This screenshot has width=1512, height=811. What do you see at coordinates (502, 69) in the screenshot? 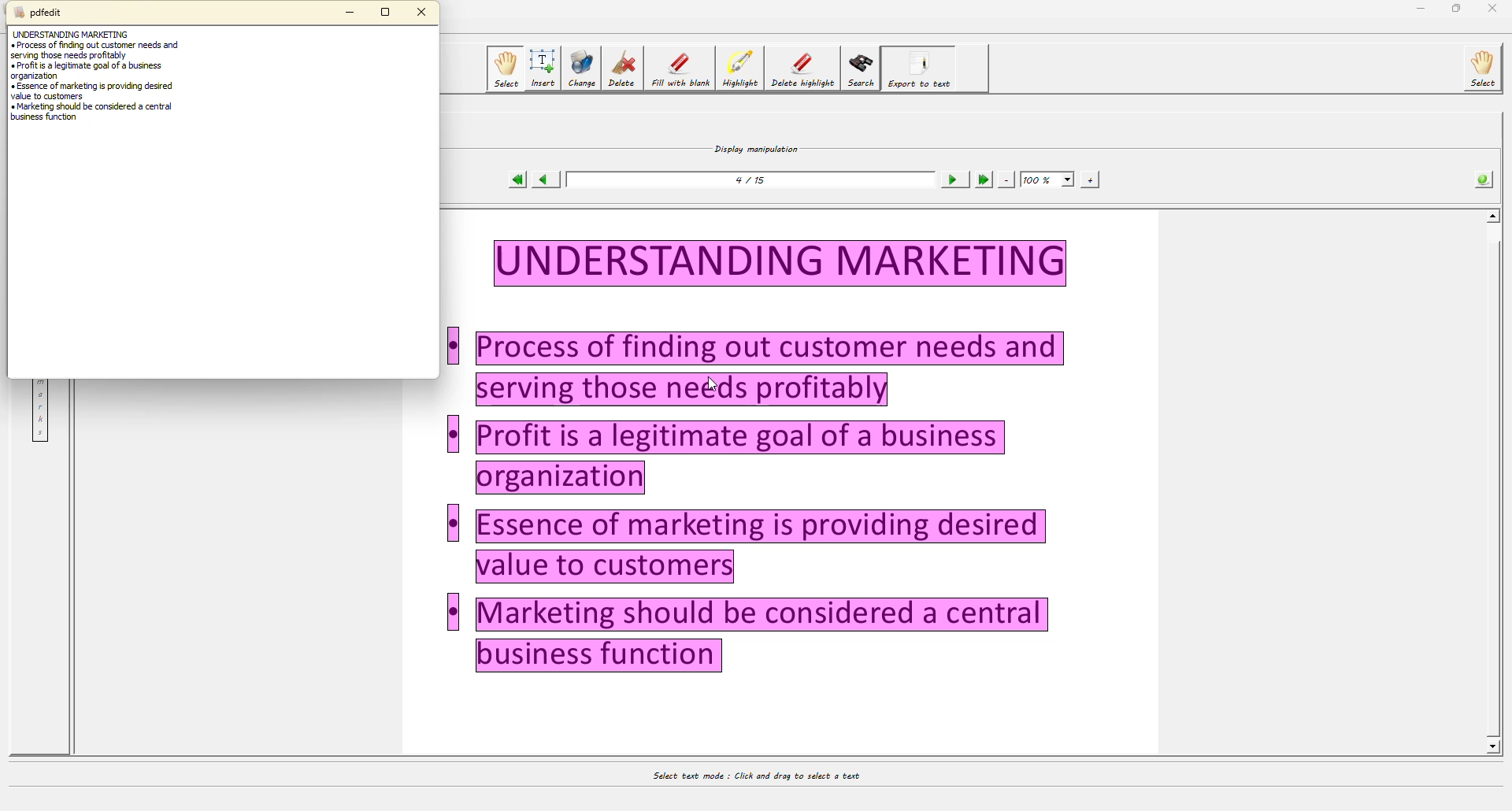
I see `select` at bounding box center [502, 69].